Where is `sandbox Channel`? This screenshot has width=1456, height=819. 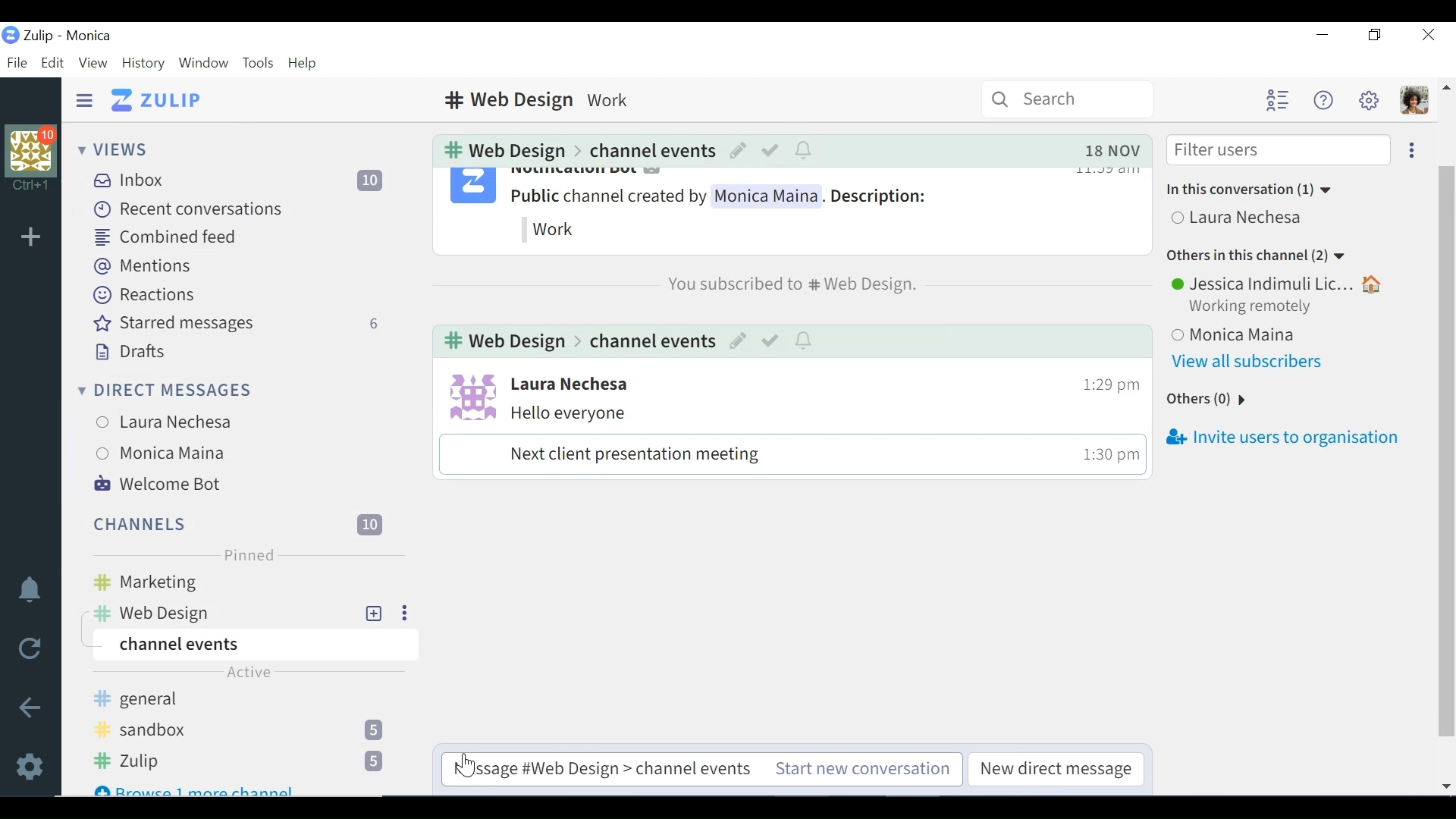 sandbox Channel is located at coordinates (245, 732).